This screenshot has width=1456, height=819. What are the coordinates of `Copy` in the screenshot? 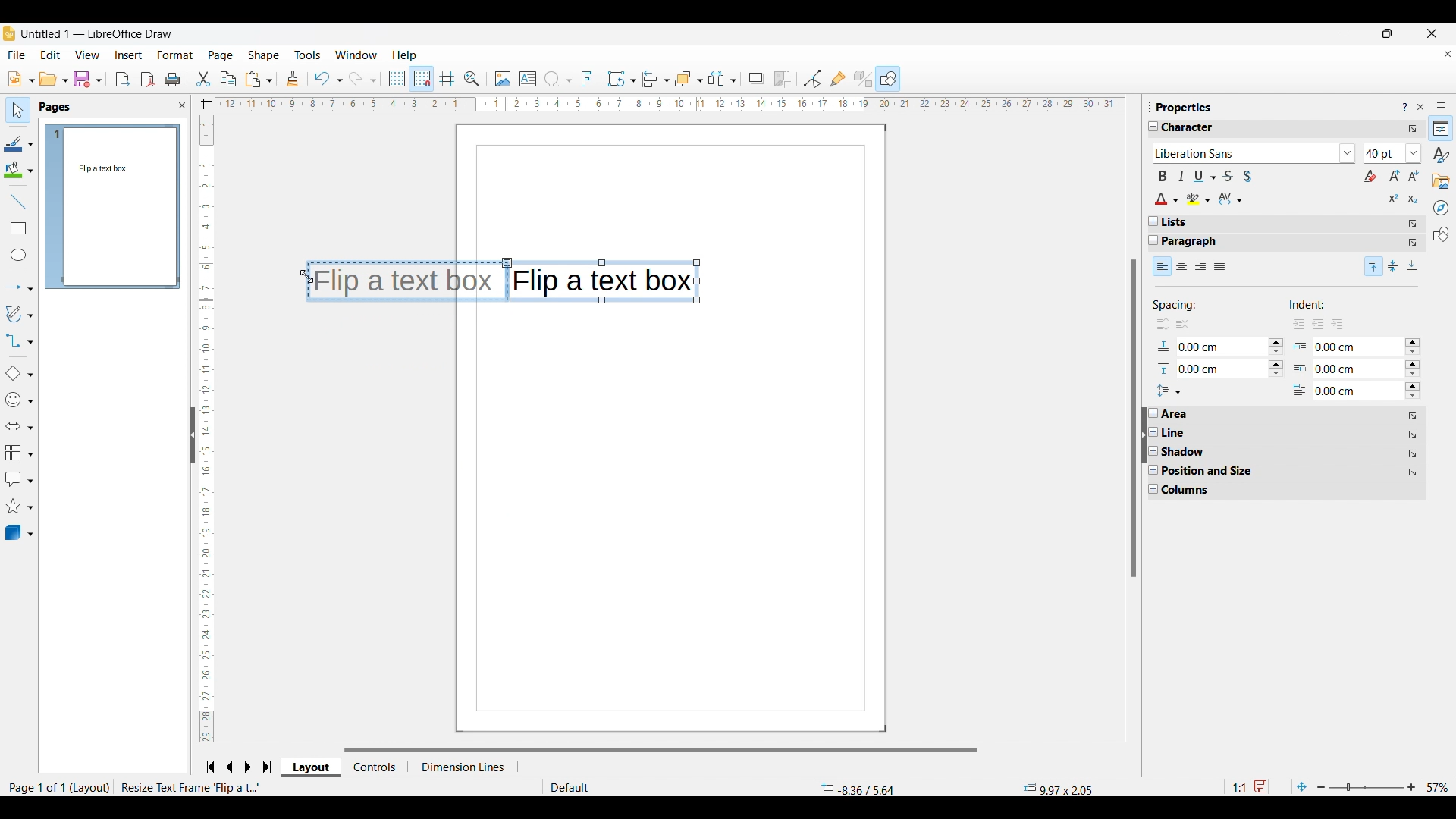 It's located at (228, 79).